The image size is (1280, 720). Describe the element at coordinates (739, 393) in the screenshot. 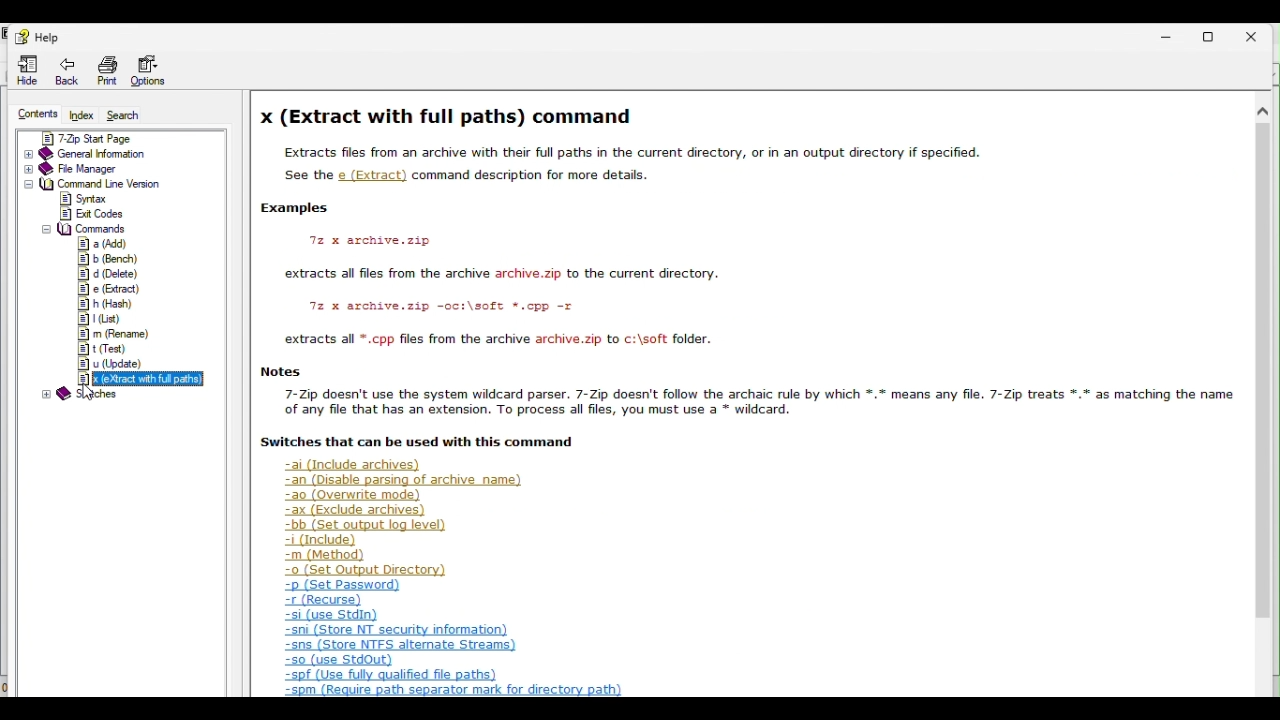

I see `Notes
7-Zip doesn't use the system wildcard parser. 7-Zip doesn't follow the archaic rule by which =.= means any file. 7-Zip treats *.* as matching the name
of any file that has an extension. To process all files, you must use a * wildcard.` at that location.